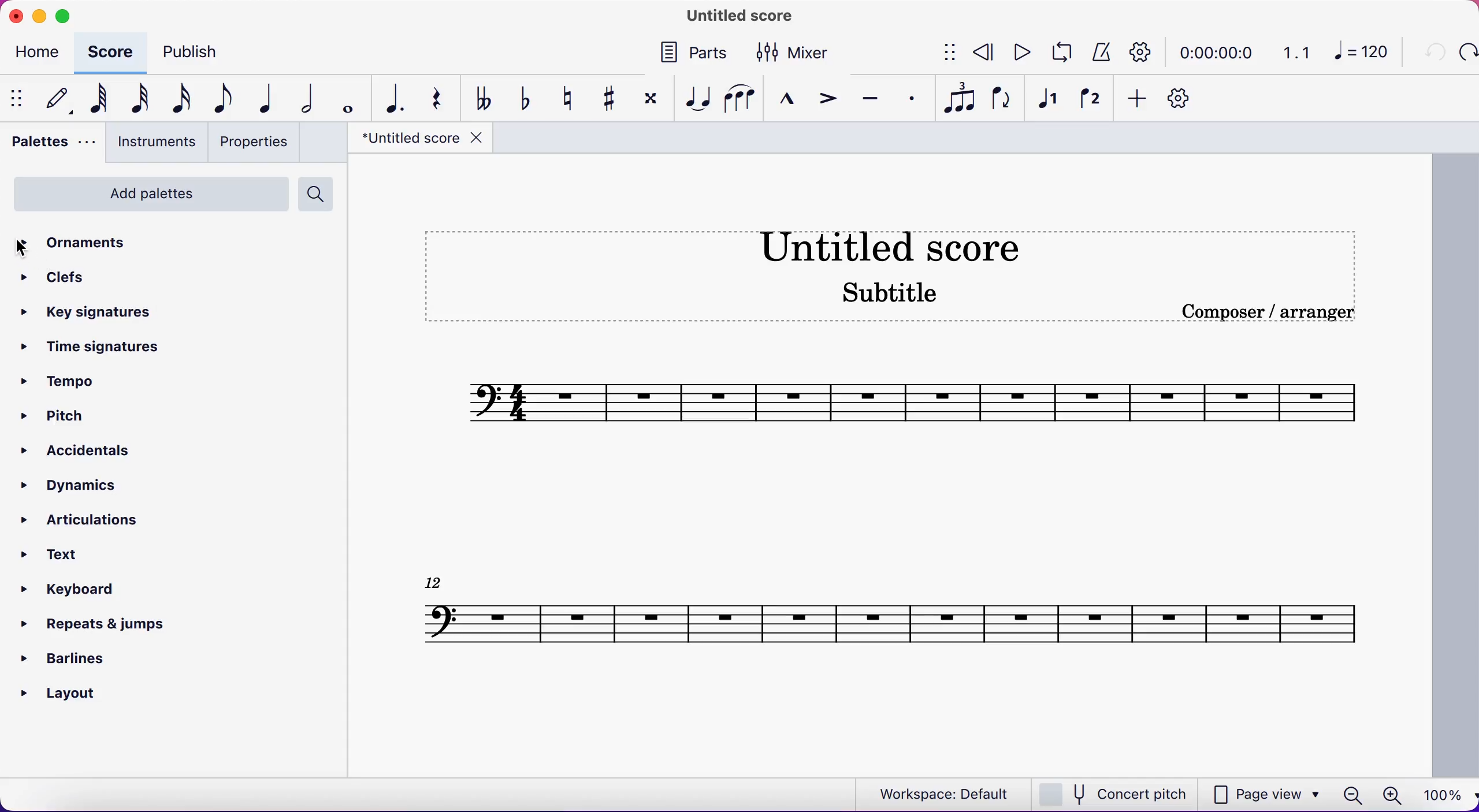  I want to click on toggle sharp, so click(607, 97).